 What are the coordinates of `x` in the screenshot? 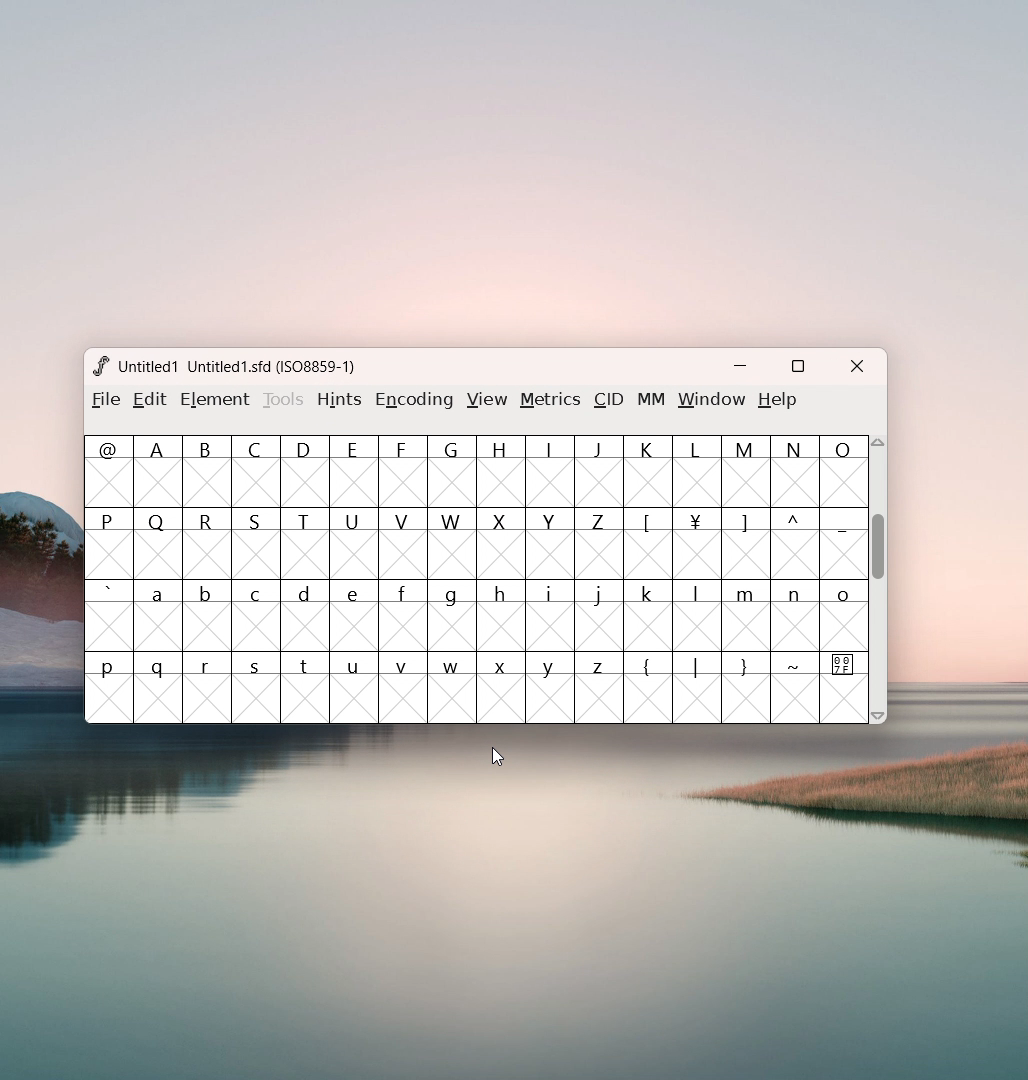 It's located at (502, 688).